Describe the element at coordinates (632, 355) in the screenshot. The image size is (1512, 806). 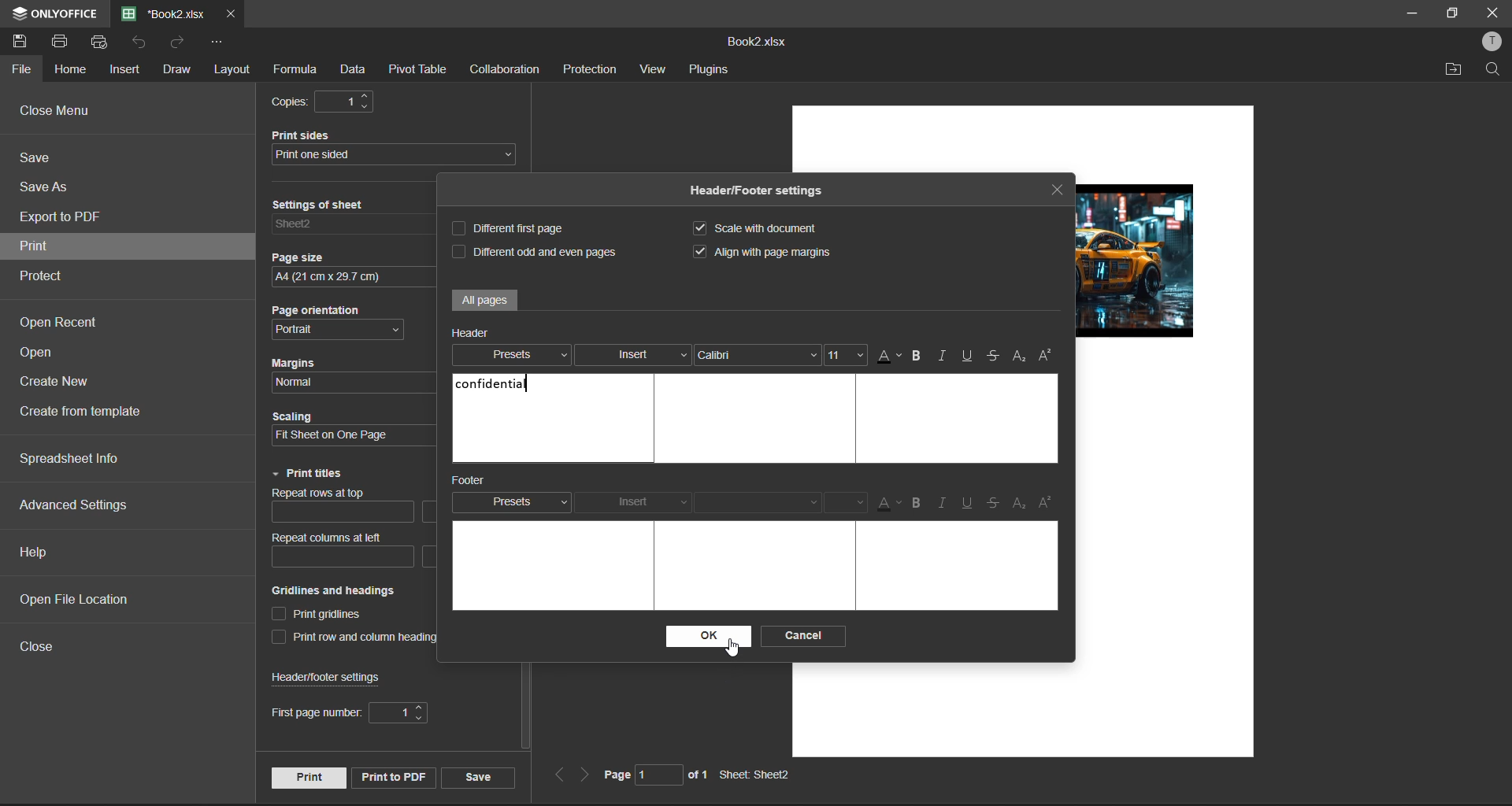
I see `insert` at that location.